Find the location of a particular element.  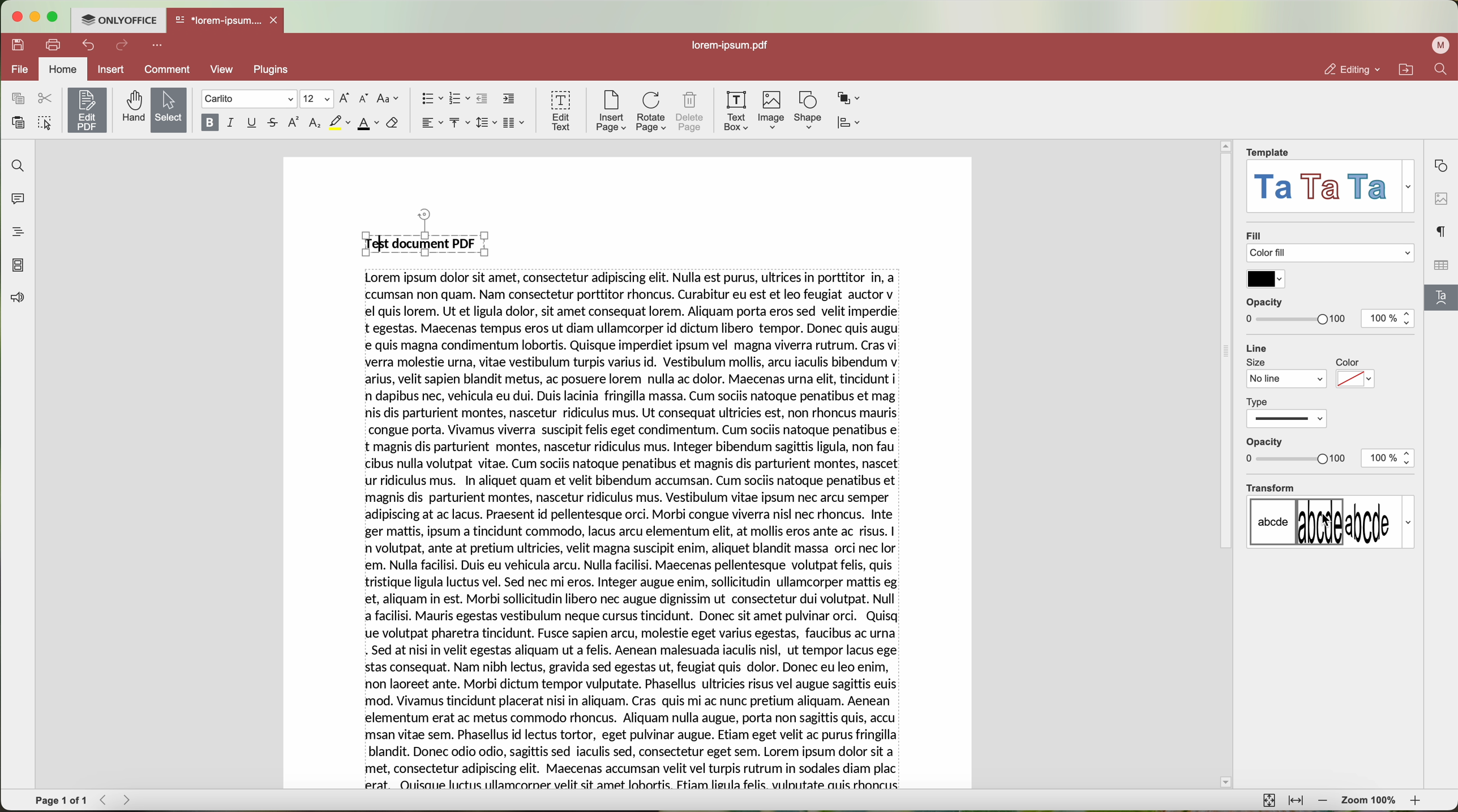

Insert is located at coordinates (111, 69).